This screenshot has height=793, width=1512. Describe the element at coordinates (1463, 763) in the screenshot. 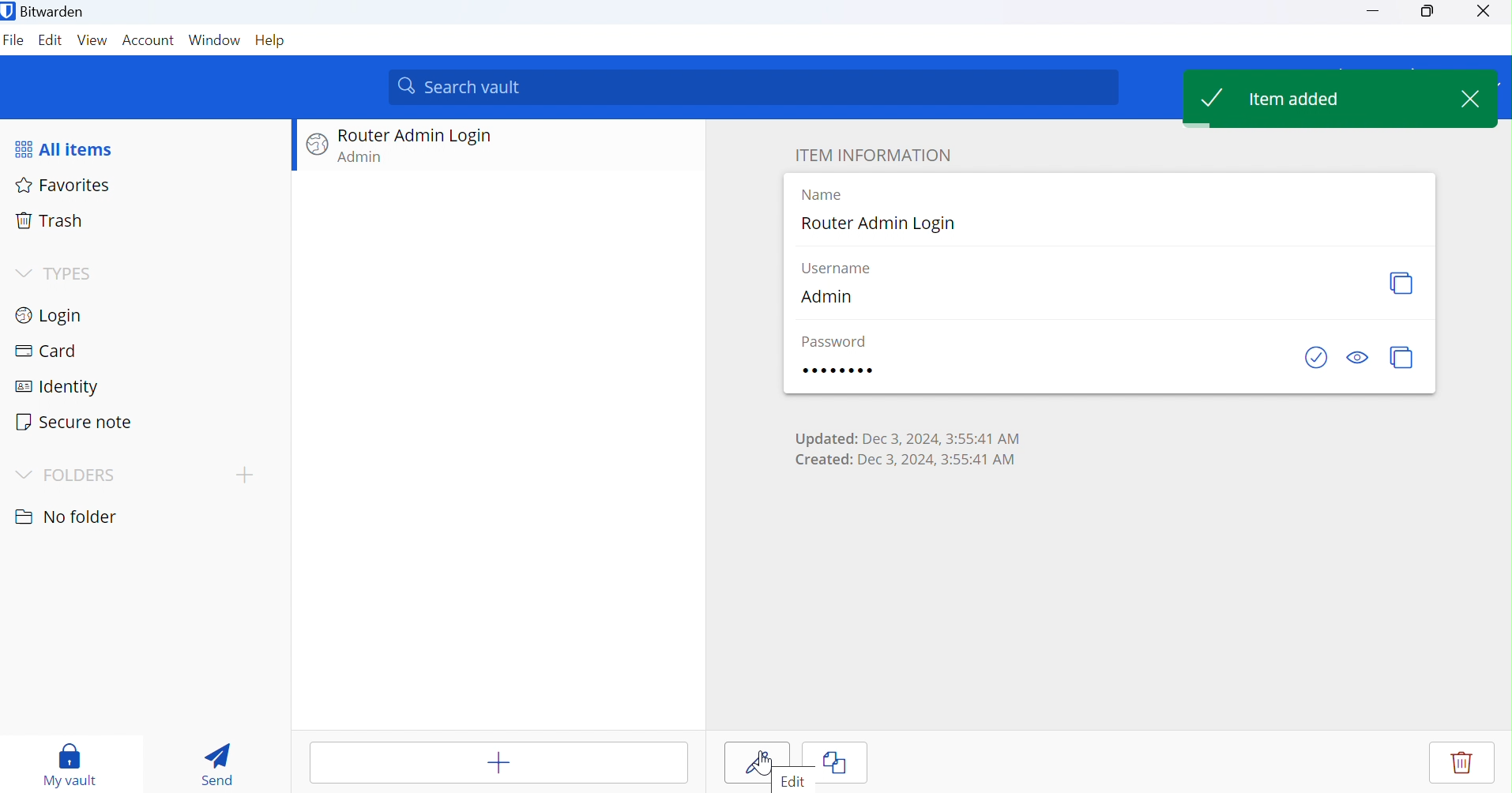

I see `Delete` at that location.